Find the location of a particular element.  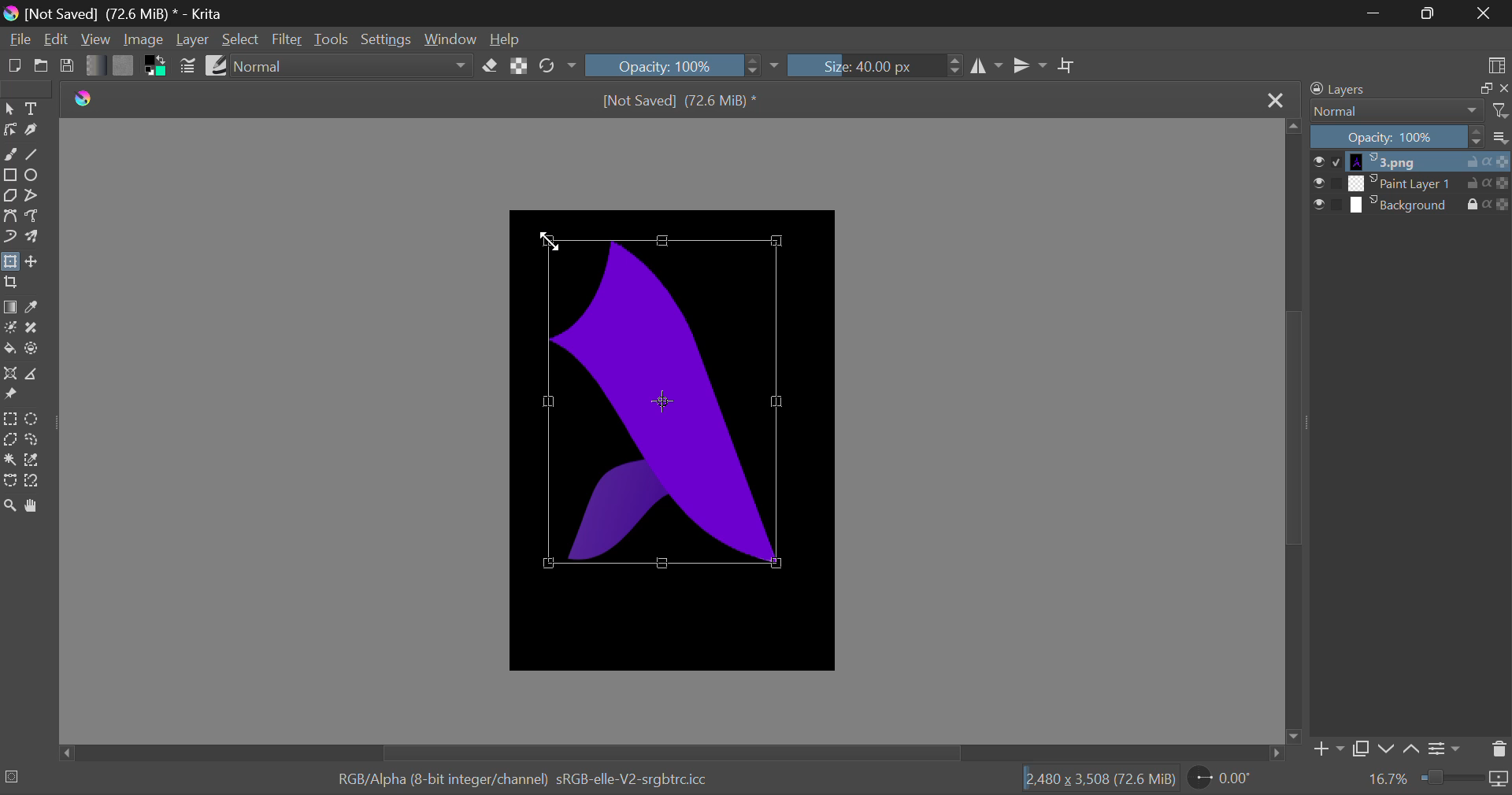

Settings is located at coordinates (384, 39).